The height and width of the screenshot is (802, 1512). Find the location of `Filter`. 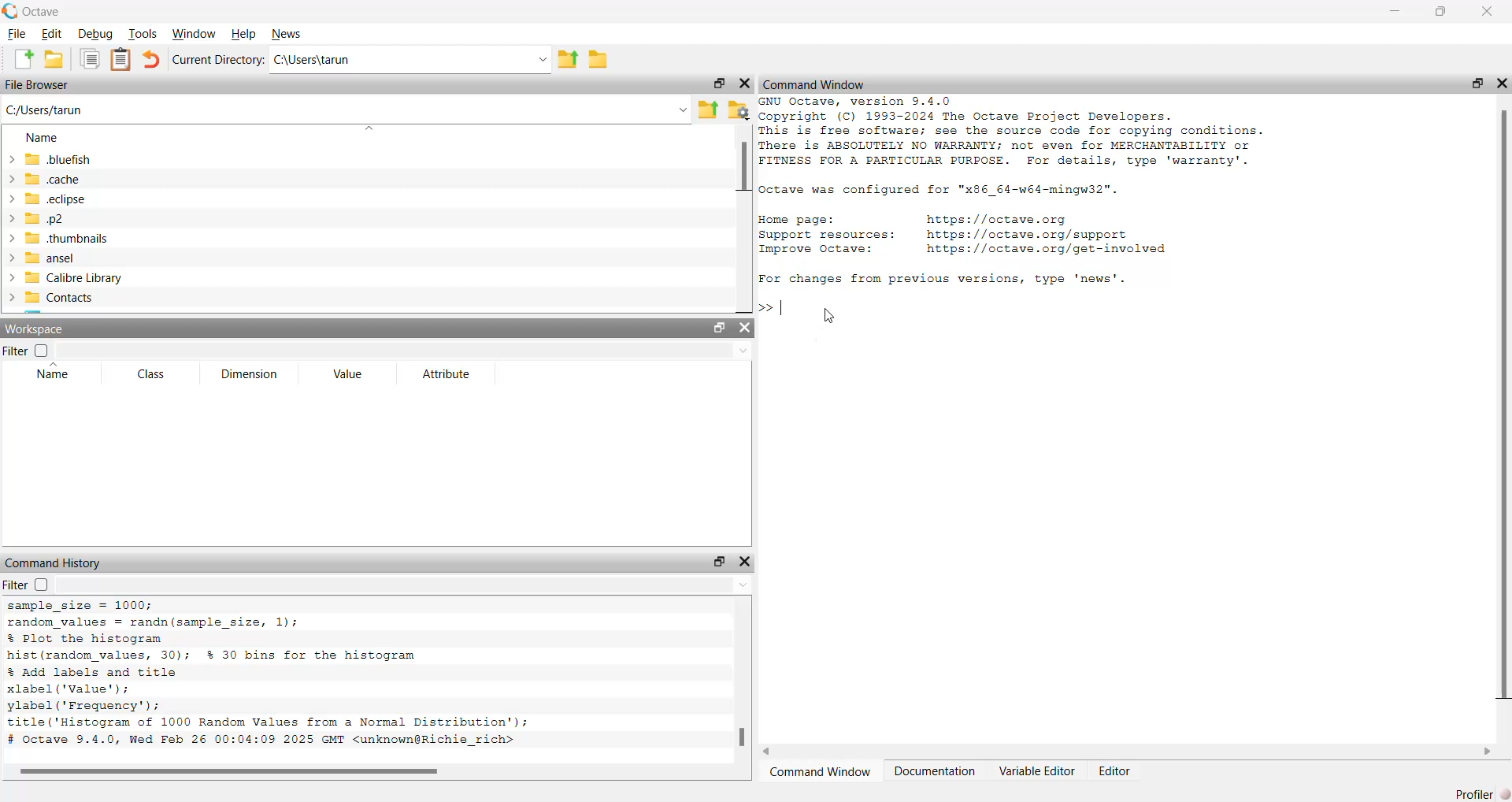

Filter is located at coordinates (26, 351).